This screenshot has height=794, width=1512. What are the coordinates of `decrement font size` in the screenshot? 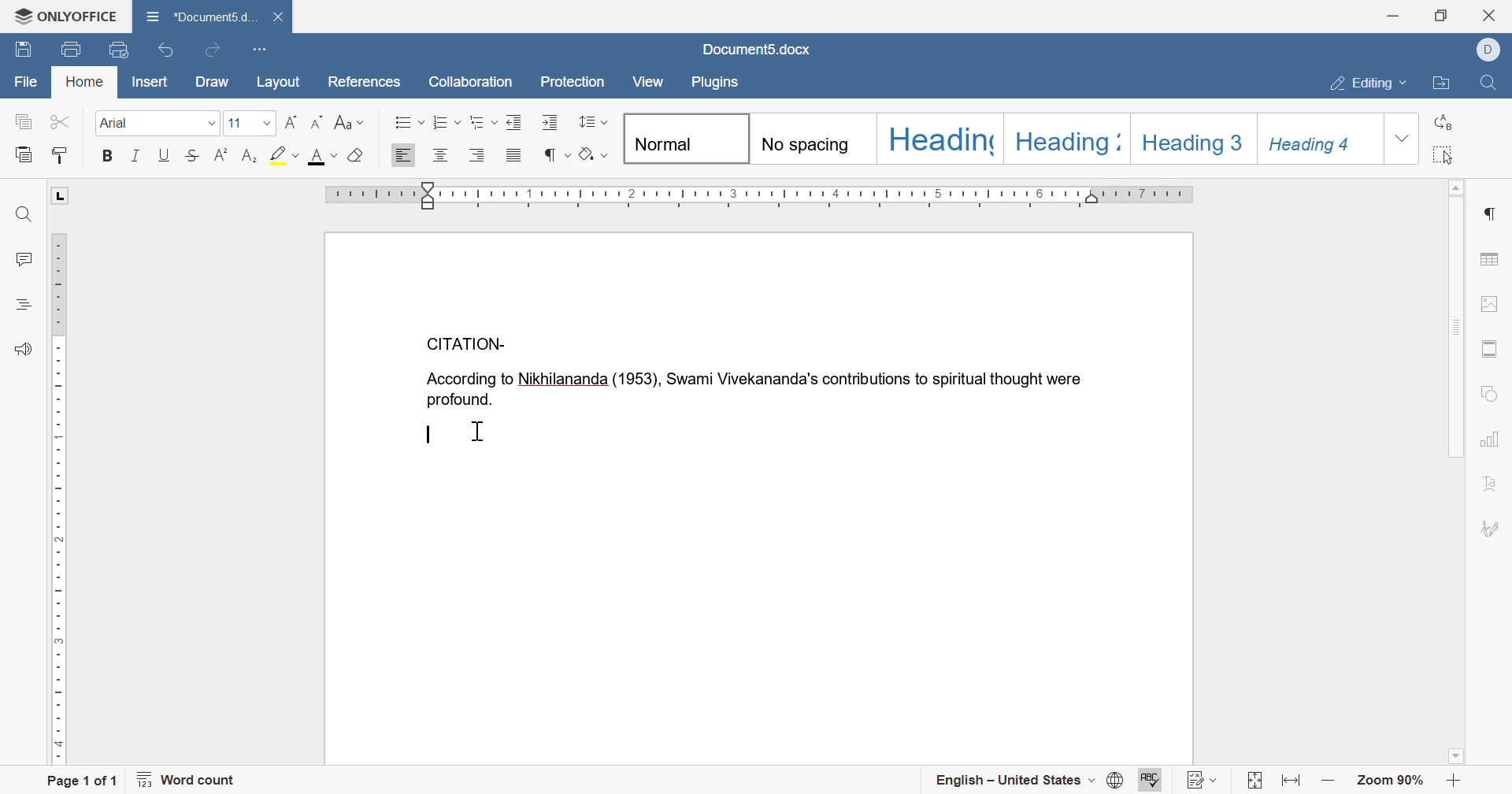 It's located at (321, 121).